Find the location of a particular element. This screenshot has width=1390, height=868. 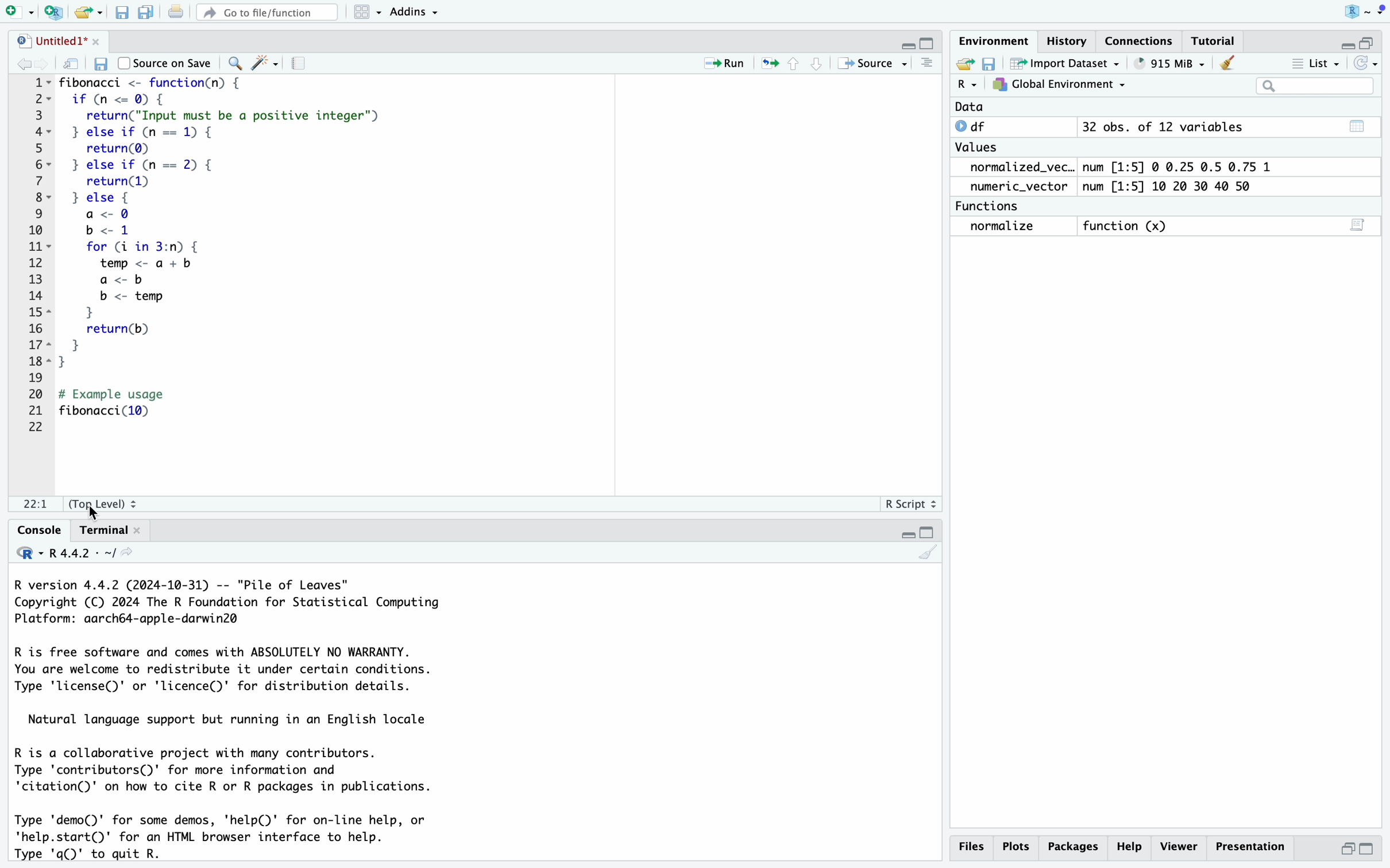

search field is located at coordinates (1319, 86).